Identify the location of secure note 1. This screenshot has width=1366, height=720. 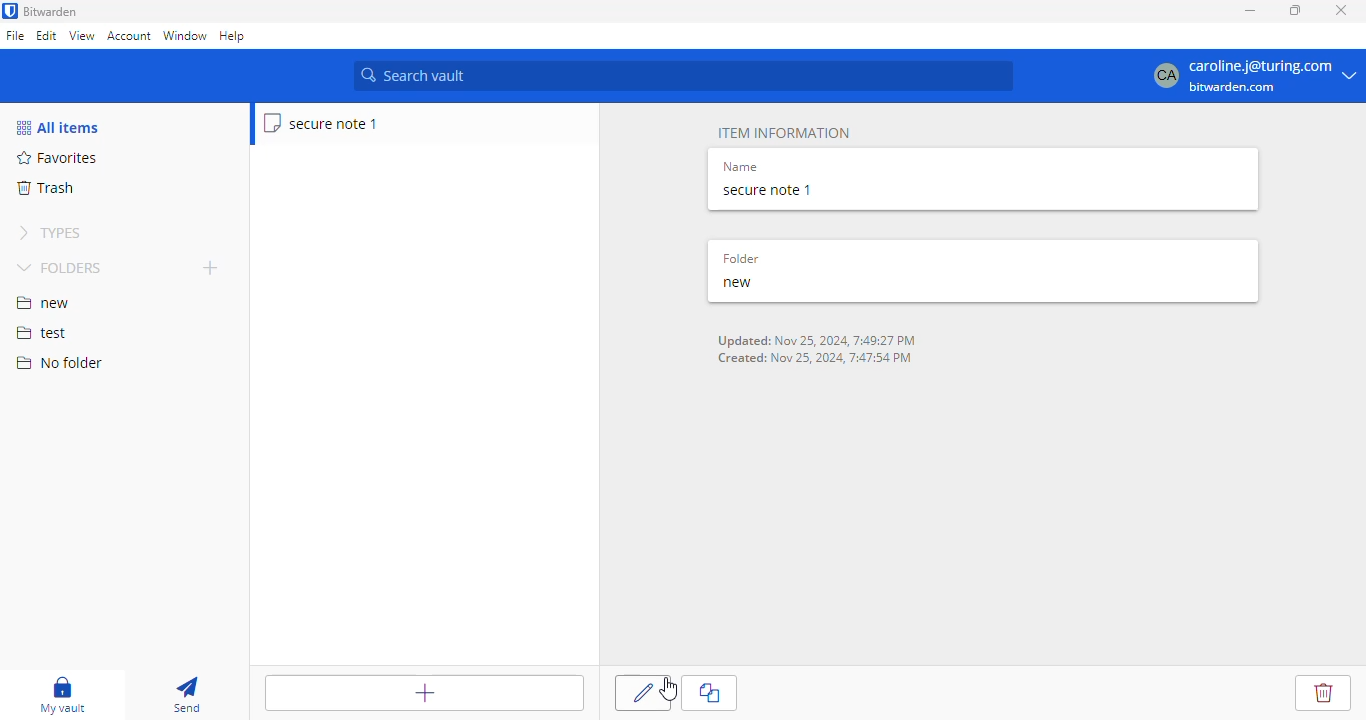
(770, 191).